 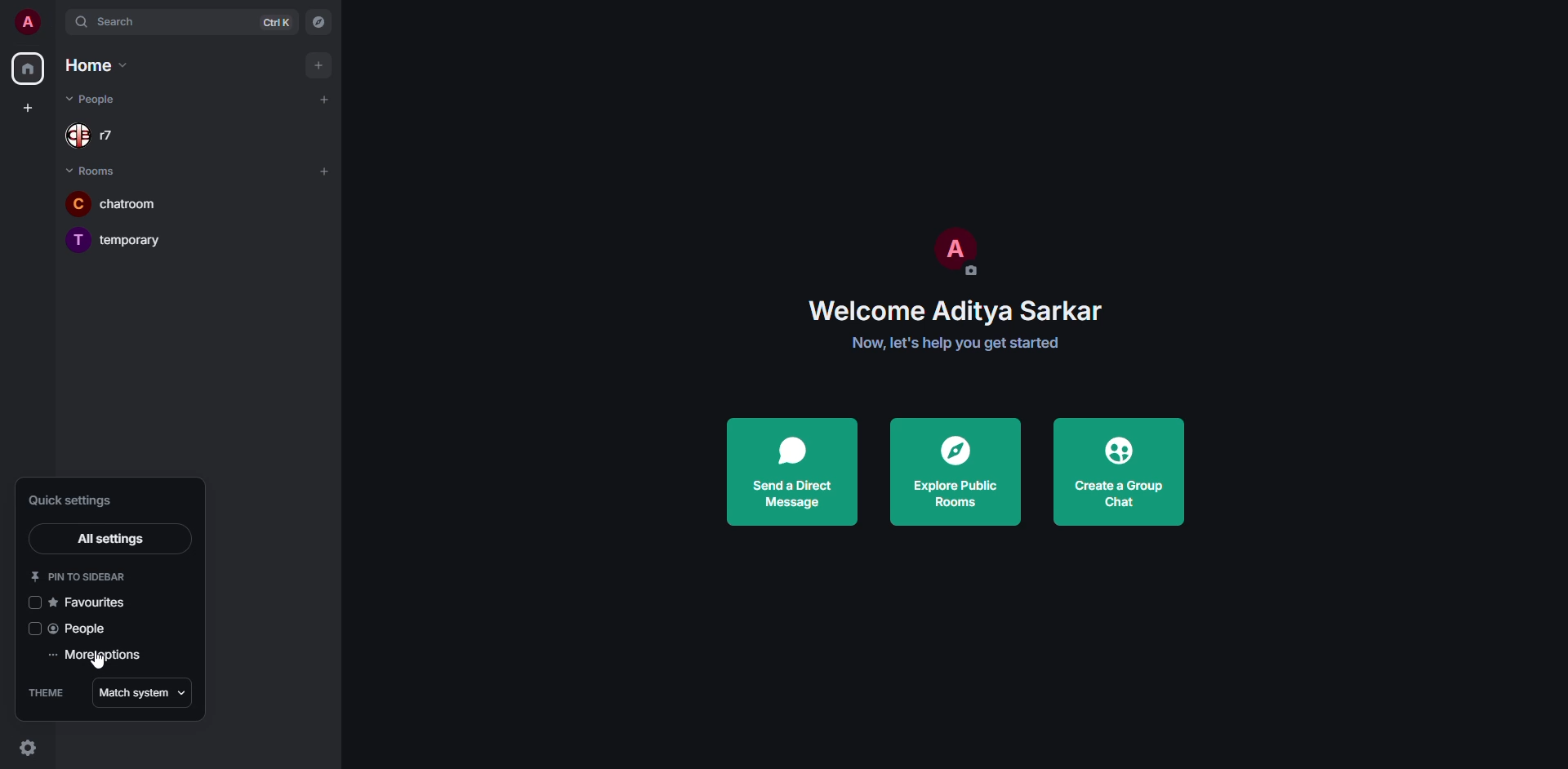 What do you see at coordinates (26, 105) in the screenshot?
I see `create space` at bounding box center [26, 105].